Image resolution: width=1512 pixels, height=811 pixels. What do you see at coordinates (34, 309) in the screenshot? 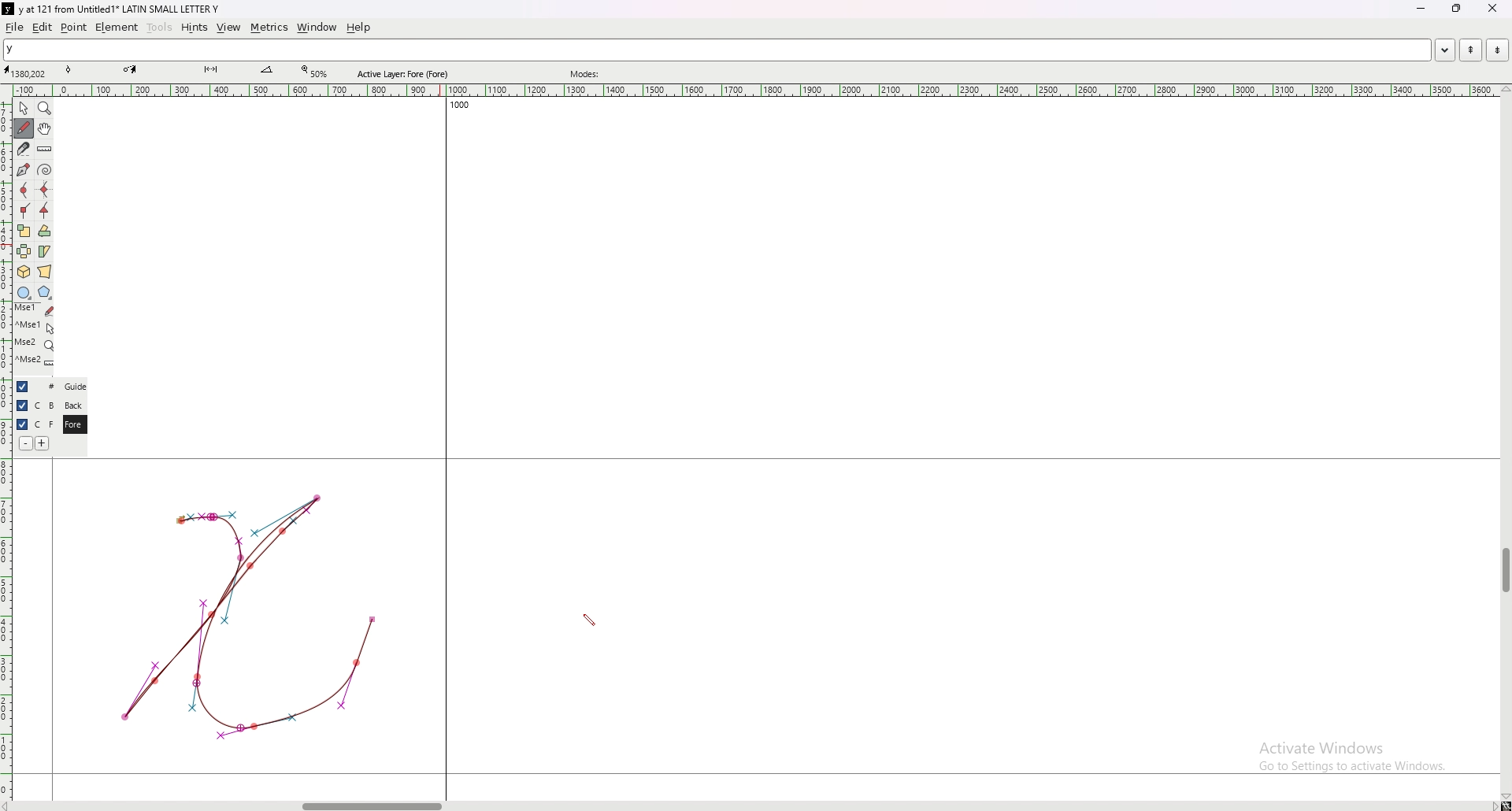
I see `mse 1` at bounding box center [34, 309].